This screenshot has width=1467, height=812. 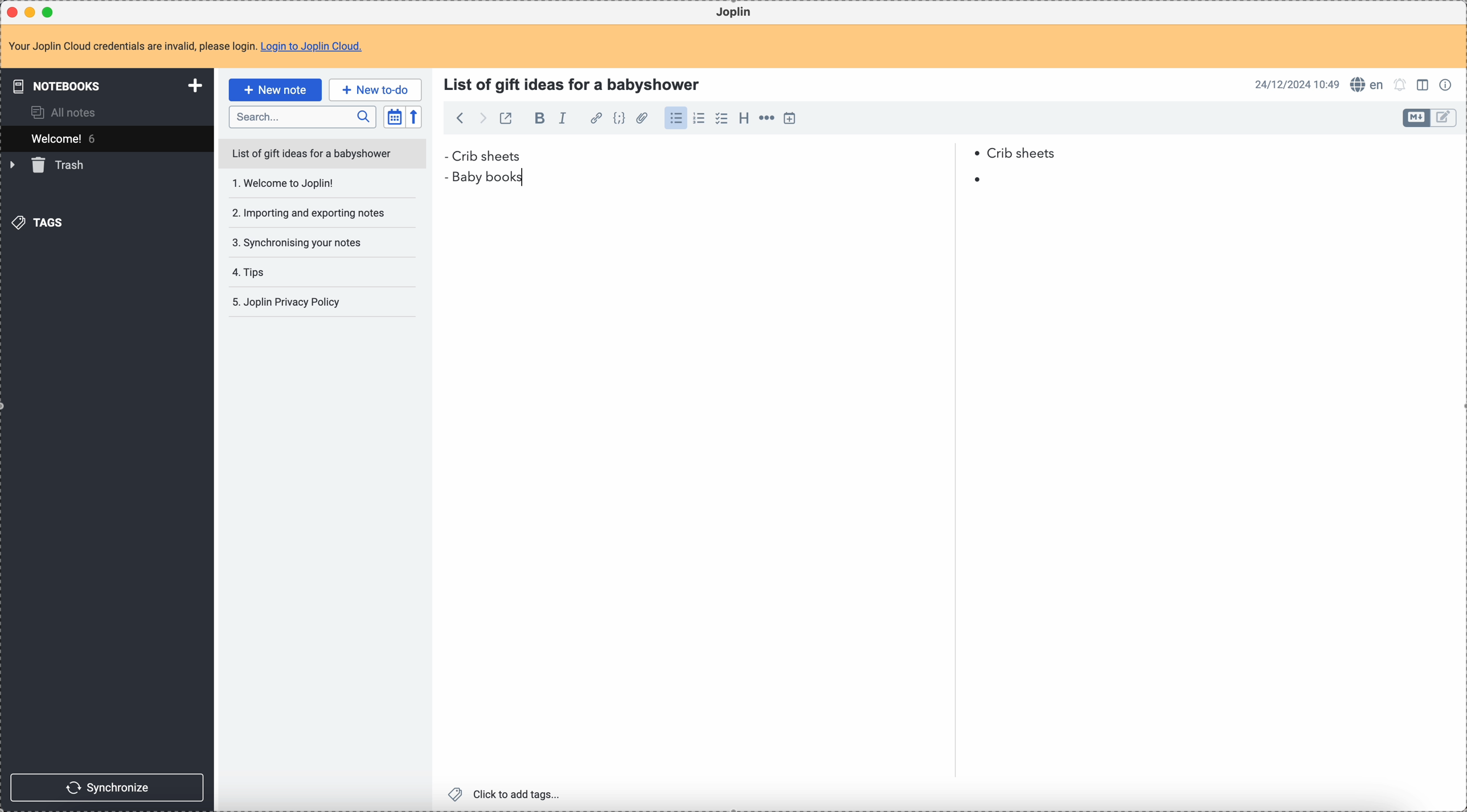 I want to click on Crib sheets, so click(x=757, y=155).